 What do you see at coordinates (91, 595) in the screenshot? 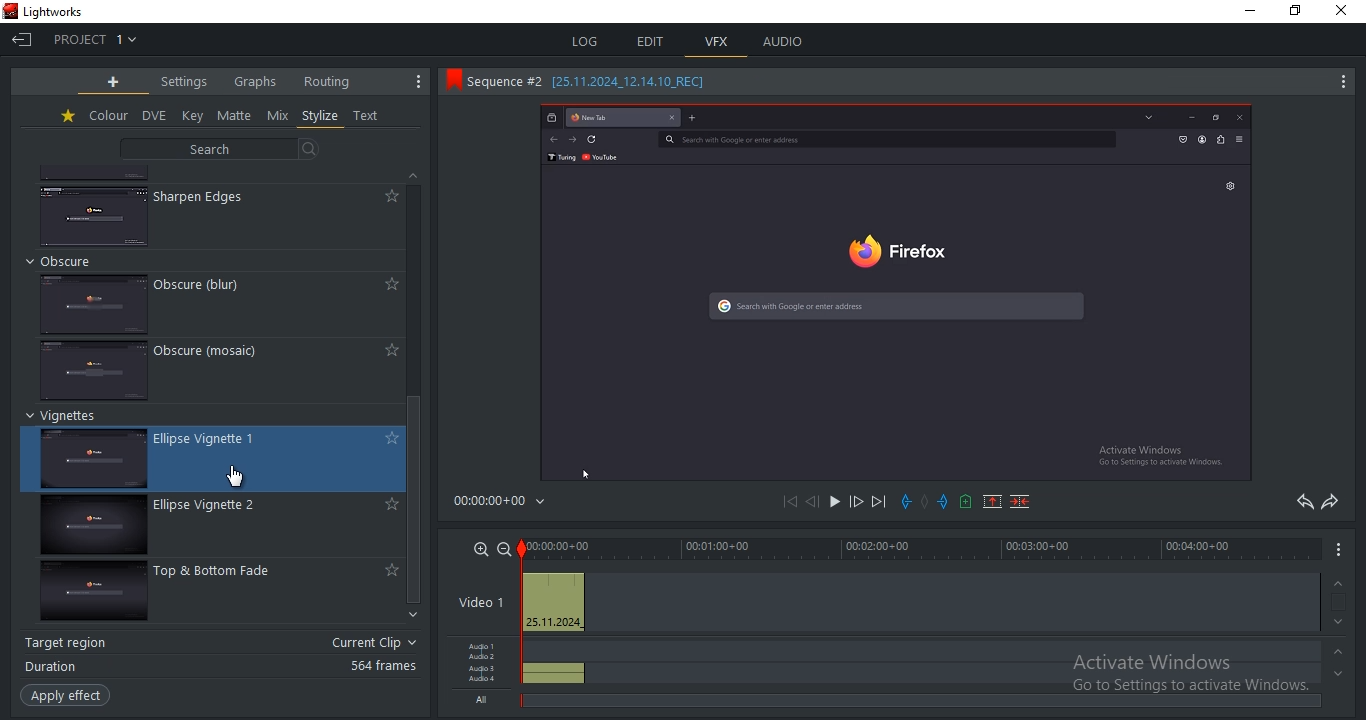
I see `top & bottom fade` at bounding box center [91, 595].